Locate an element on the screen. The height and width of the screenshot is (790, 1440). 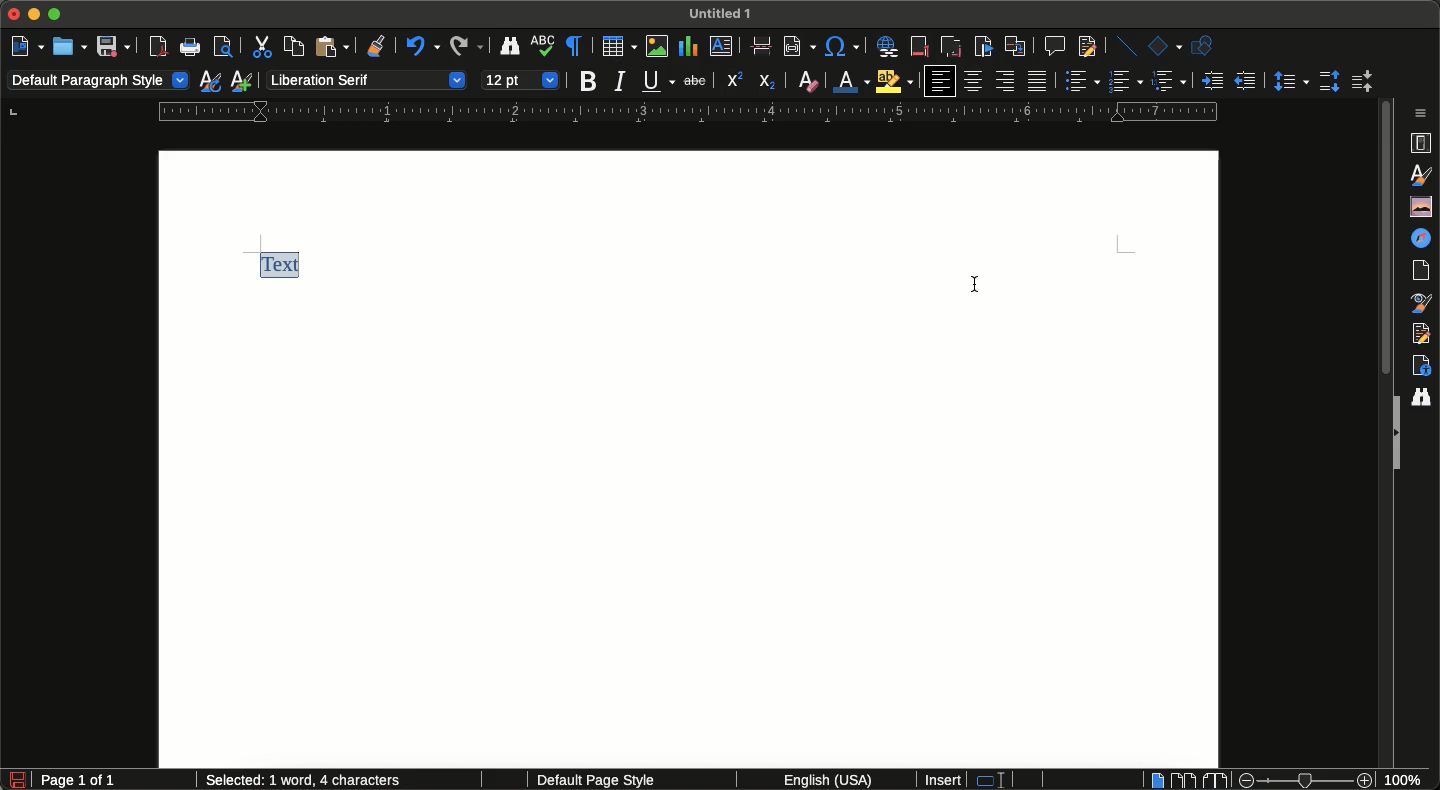
Zoom percent is located at coordinates (1410, 780).